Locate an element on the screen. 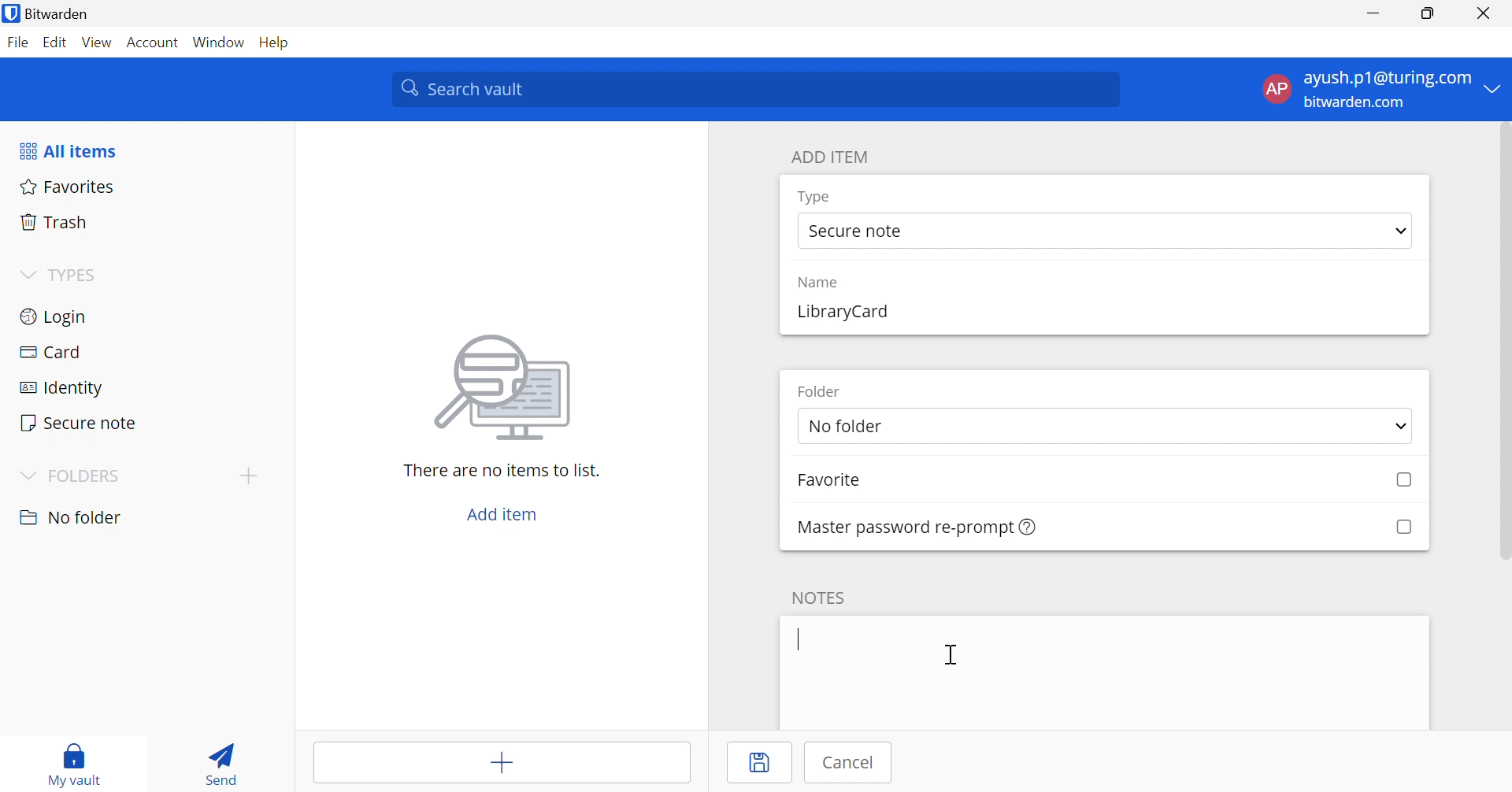 The image size is (1512, 792). Send is located at coordinates (224, 761).